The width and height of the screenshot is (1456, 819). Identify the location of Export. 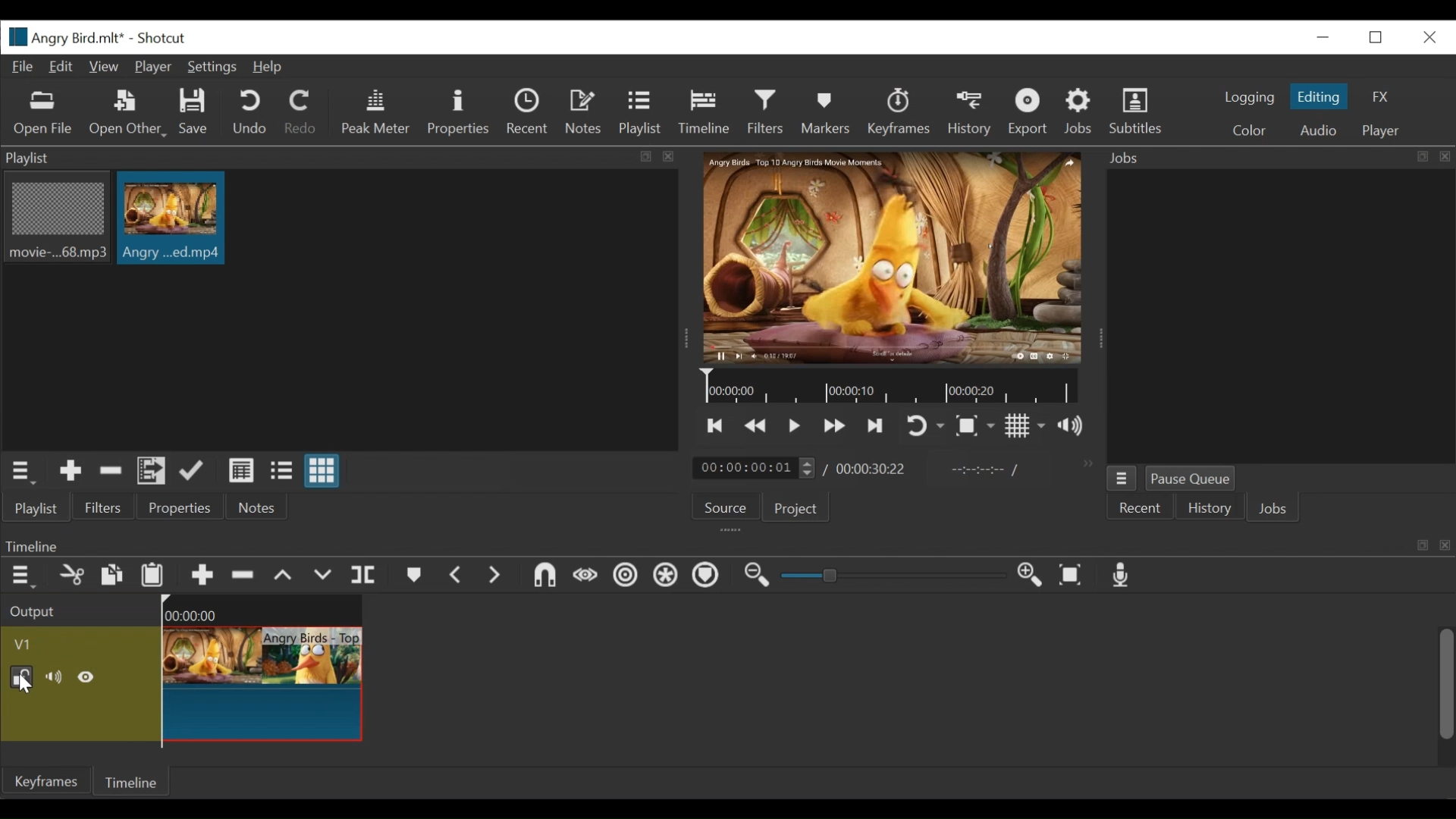
(1028, 113).